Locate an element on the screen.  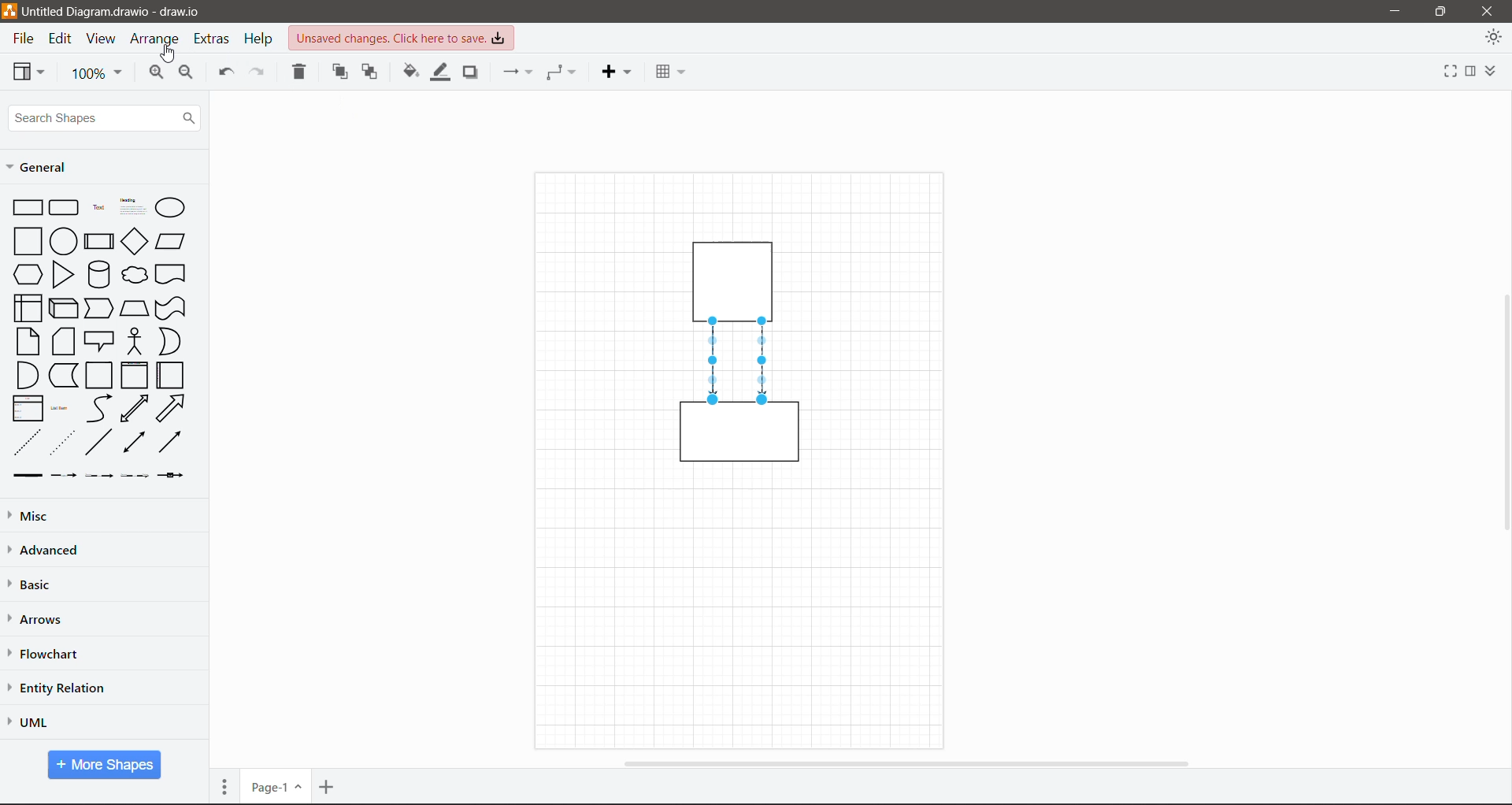
Or is located at coordinates (169, 341).